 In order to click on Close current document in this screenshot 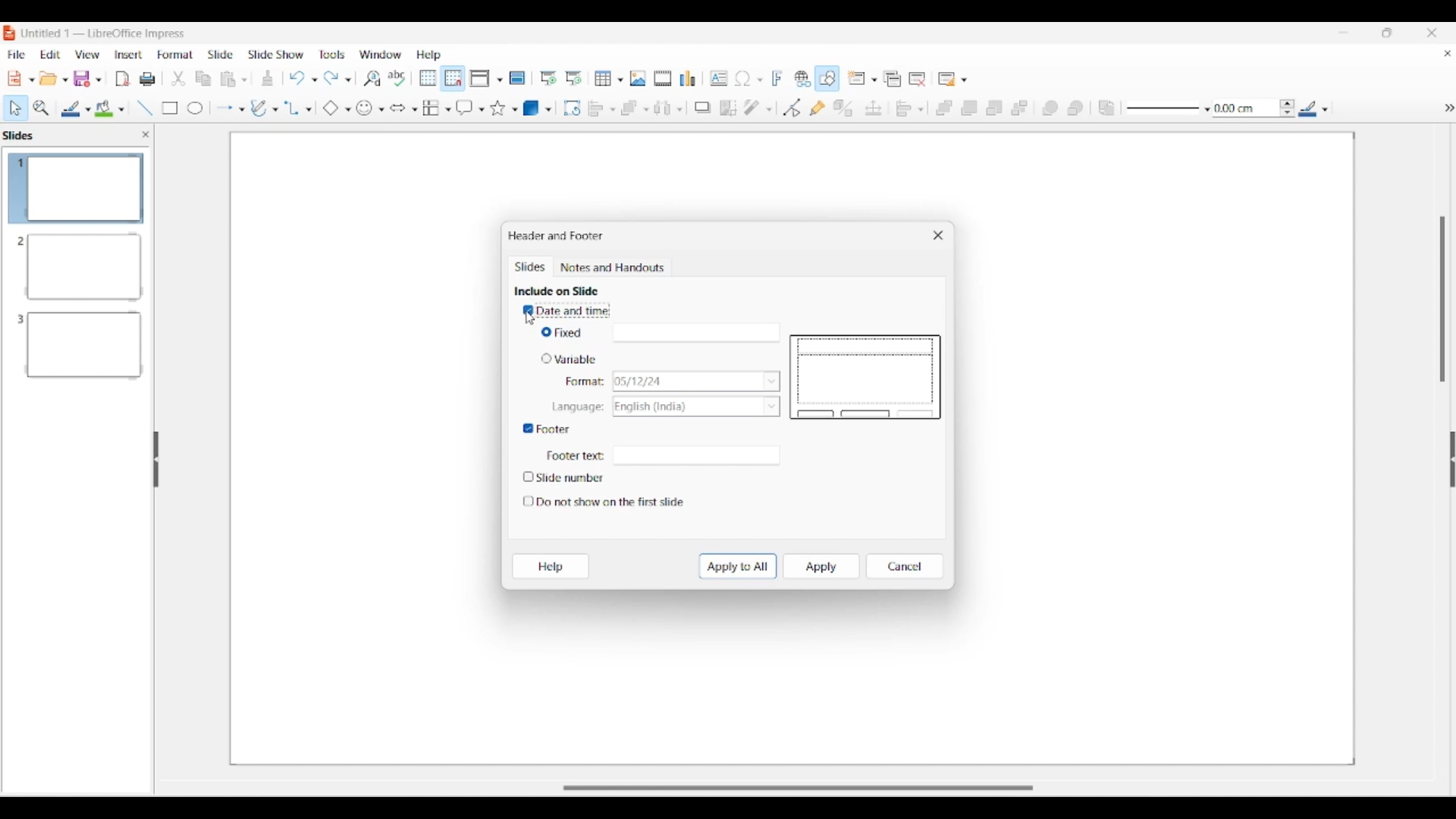, I will do `click(1448, 53)`.